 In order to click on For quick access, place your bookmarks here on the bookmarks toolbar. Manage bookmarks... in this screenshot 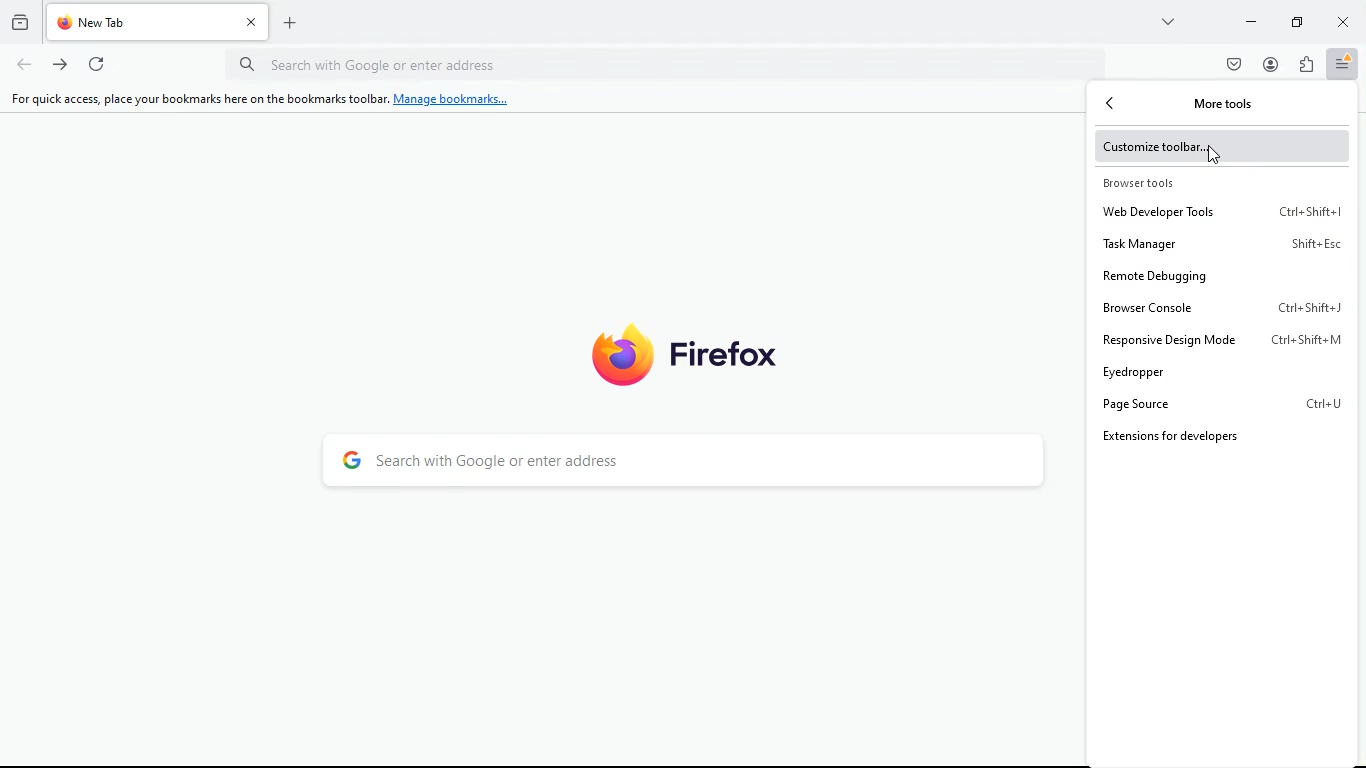, I will do `click(261, 101)`.